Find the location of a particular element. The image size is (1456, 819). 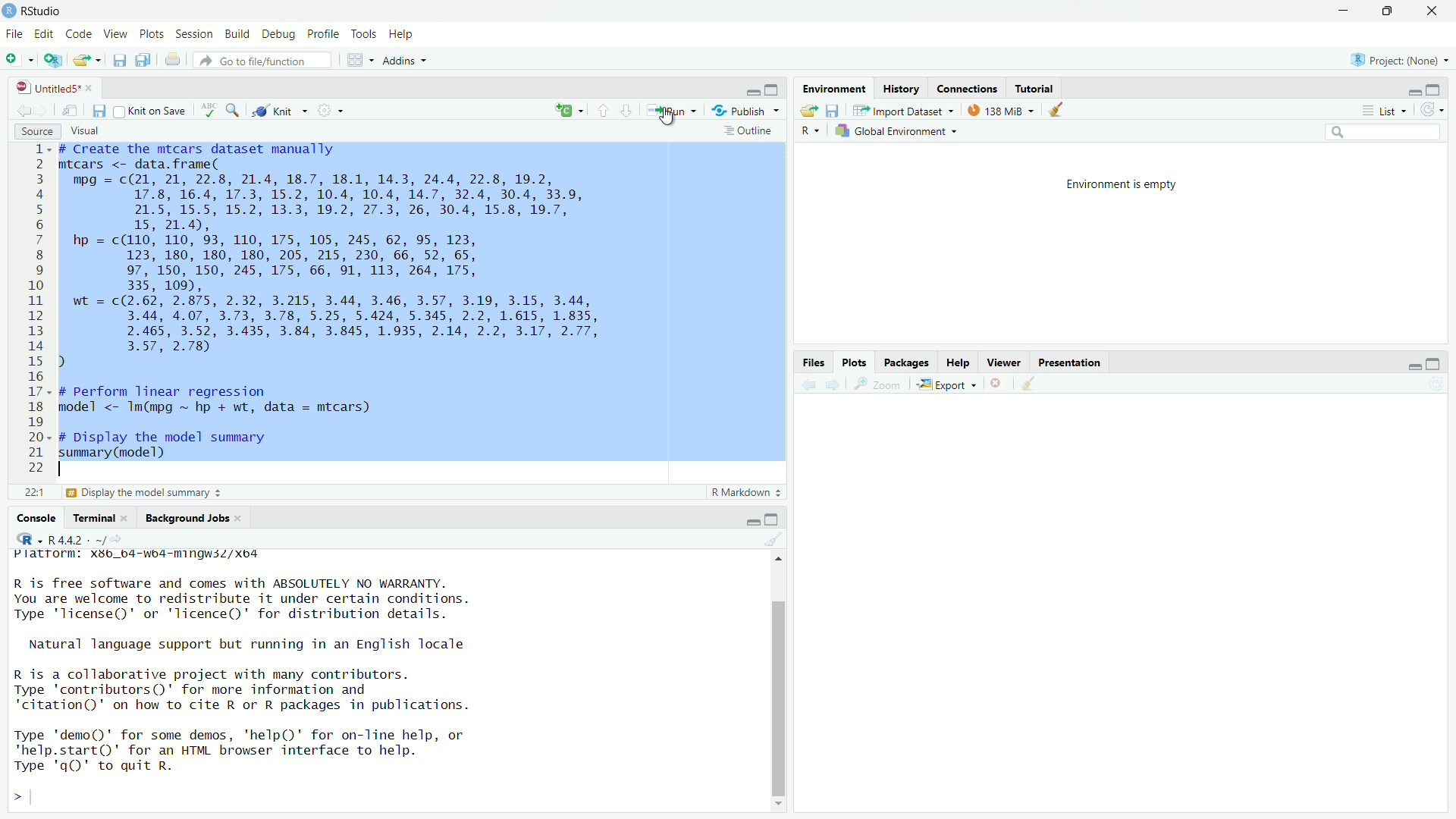

go to previous section is located at coordinates (602, 110).